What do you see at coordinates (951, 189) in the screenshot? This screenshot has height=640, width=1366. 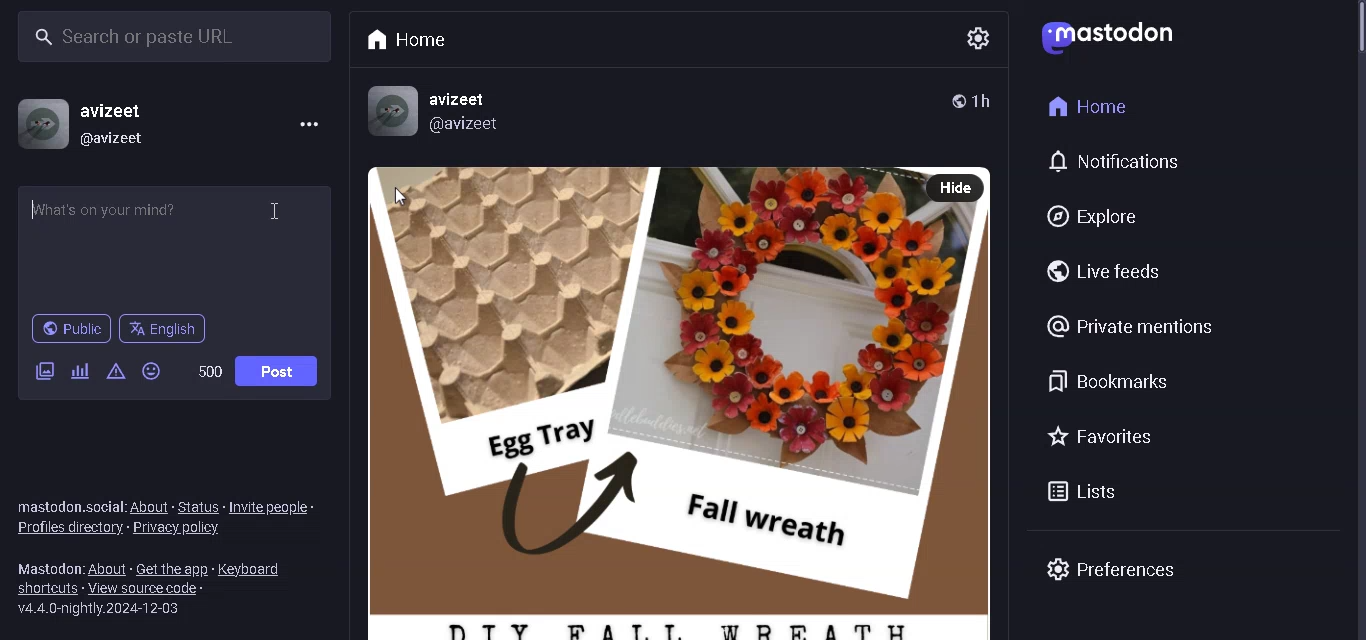 I see `HIDE` at bounding box center [951, 189].